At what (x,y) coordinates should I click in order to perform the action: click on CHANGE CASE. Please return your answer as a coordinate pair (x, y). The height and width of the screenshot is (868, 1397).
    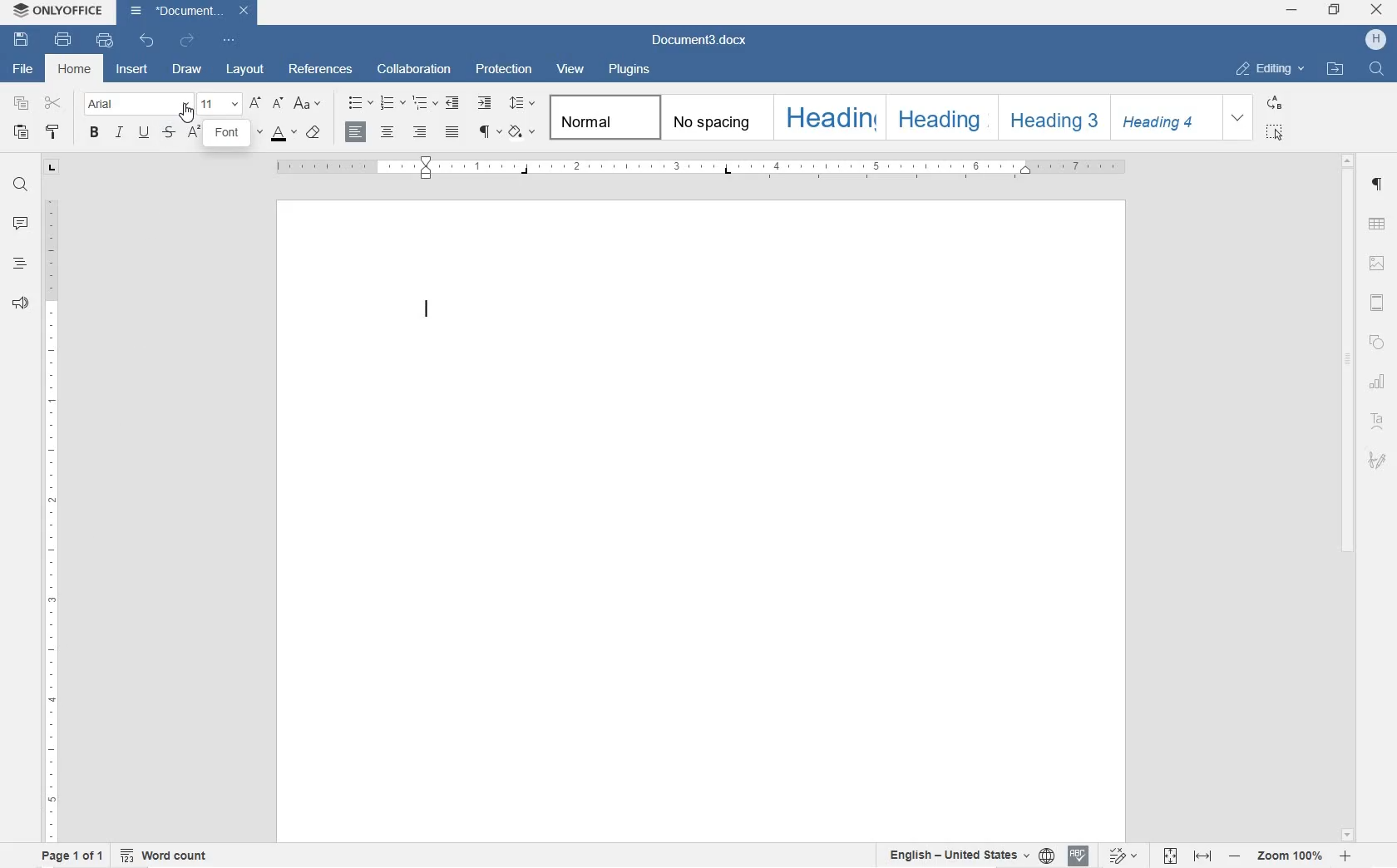
    Looking at the image, I should click on (311, 104).